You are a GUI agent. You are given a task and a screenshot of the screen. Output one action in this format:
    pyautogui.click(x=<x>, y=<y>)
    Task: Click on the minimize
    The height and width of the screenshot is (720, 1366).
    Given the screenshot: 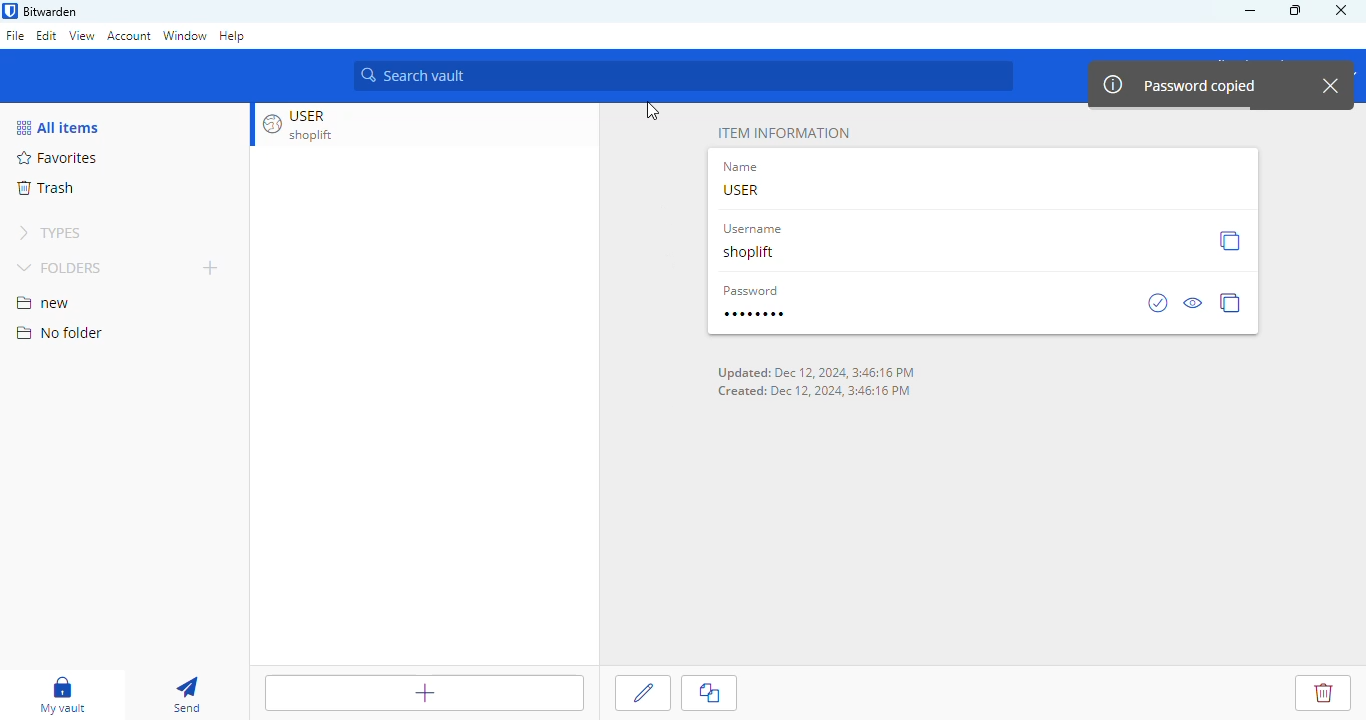 What is the action you would take?
    pyautogui.click(x=1248, y=11)
    